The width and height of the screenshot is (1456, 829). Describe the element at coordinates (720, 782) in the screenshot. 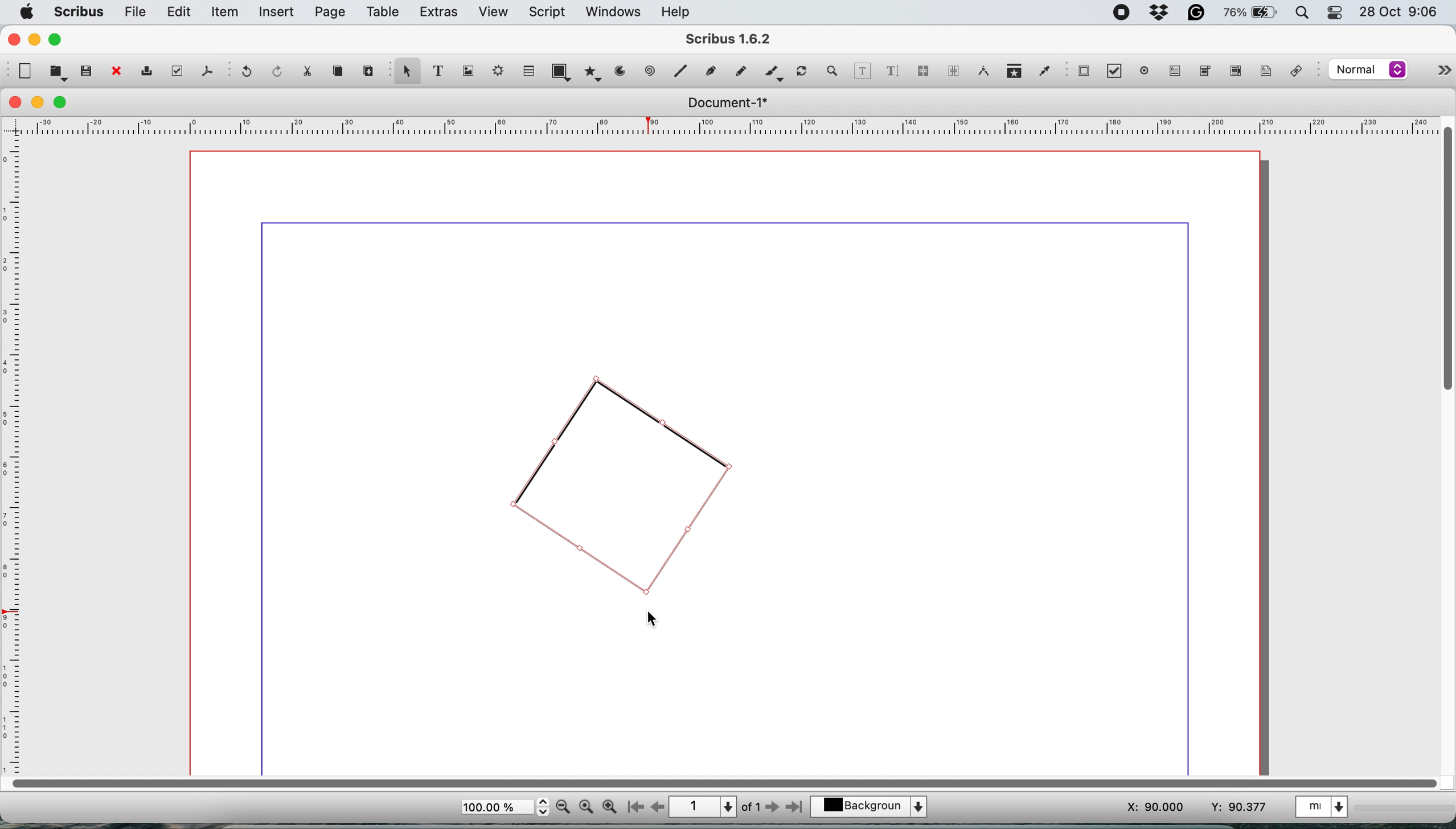

I see `horizontal scroll bar` at that location.